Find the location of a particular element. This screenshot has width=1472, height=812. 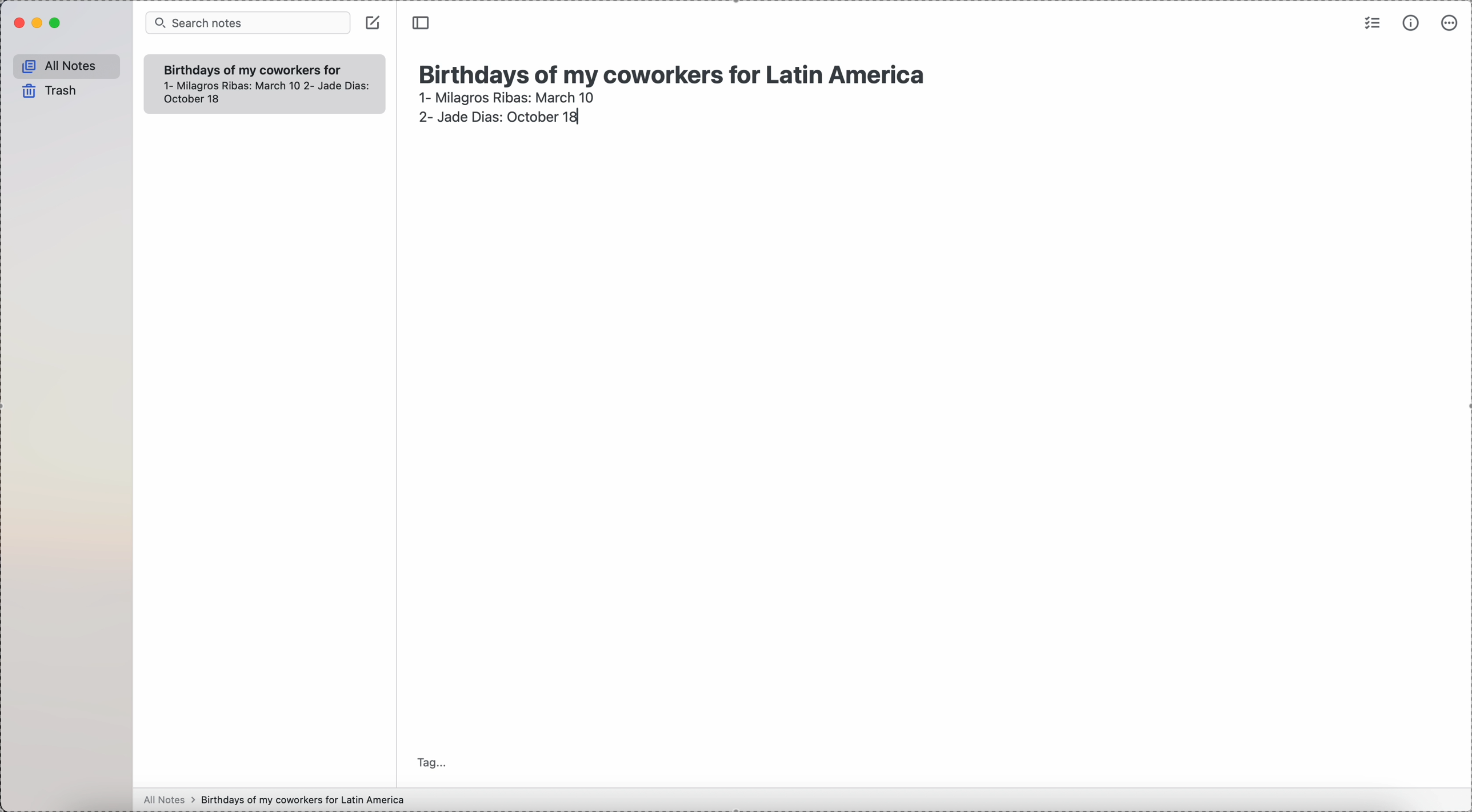

more options is located at coordinates (1451, 22).